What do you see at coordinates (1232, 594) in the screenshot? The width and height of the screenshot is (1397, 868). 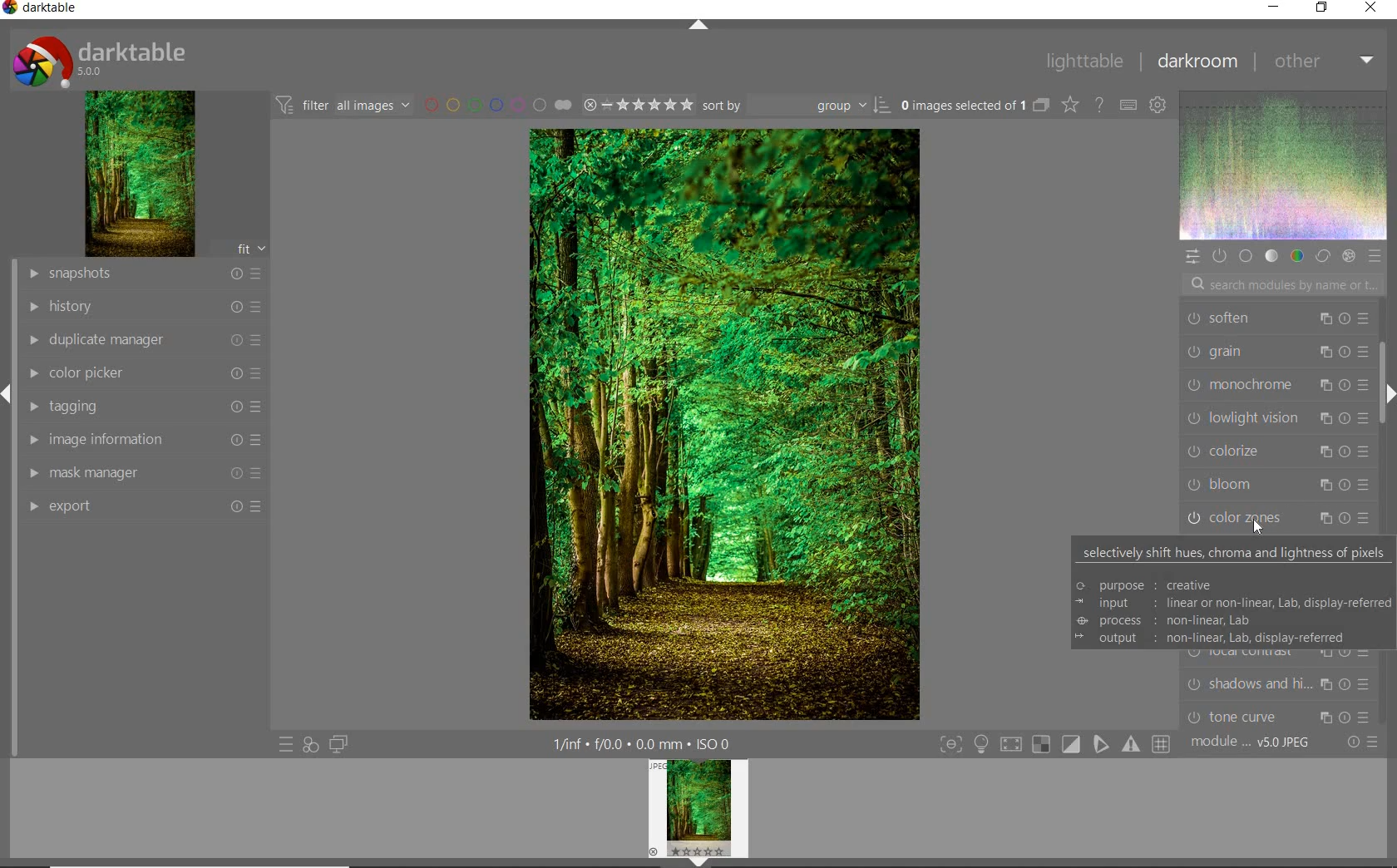 I see `selectively shift hues, chroma and lightness of pixels
© purpose : creative

= input linear or non-linear, Lab, display-referred
@ process : non-linear, Lab

= output : non-linear, Lab, display-referred` at bounding box center [1232, 594].